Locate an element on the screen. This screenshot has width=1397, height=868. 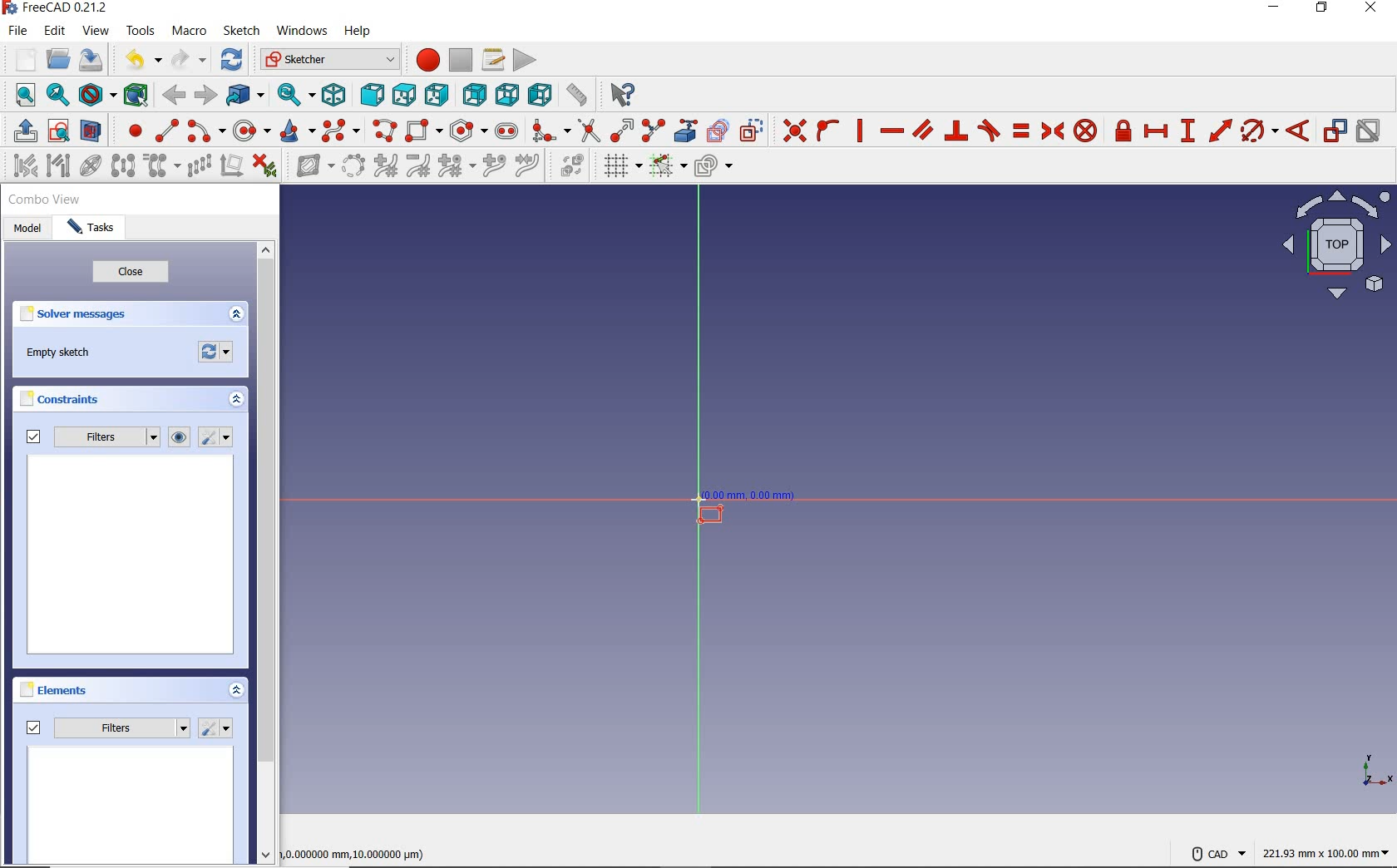
forward is located at coordinates (204, 94).